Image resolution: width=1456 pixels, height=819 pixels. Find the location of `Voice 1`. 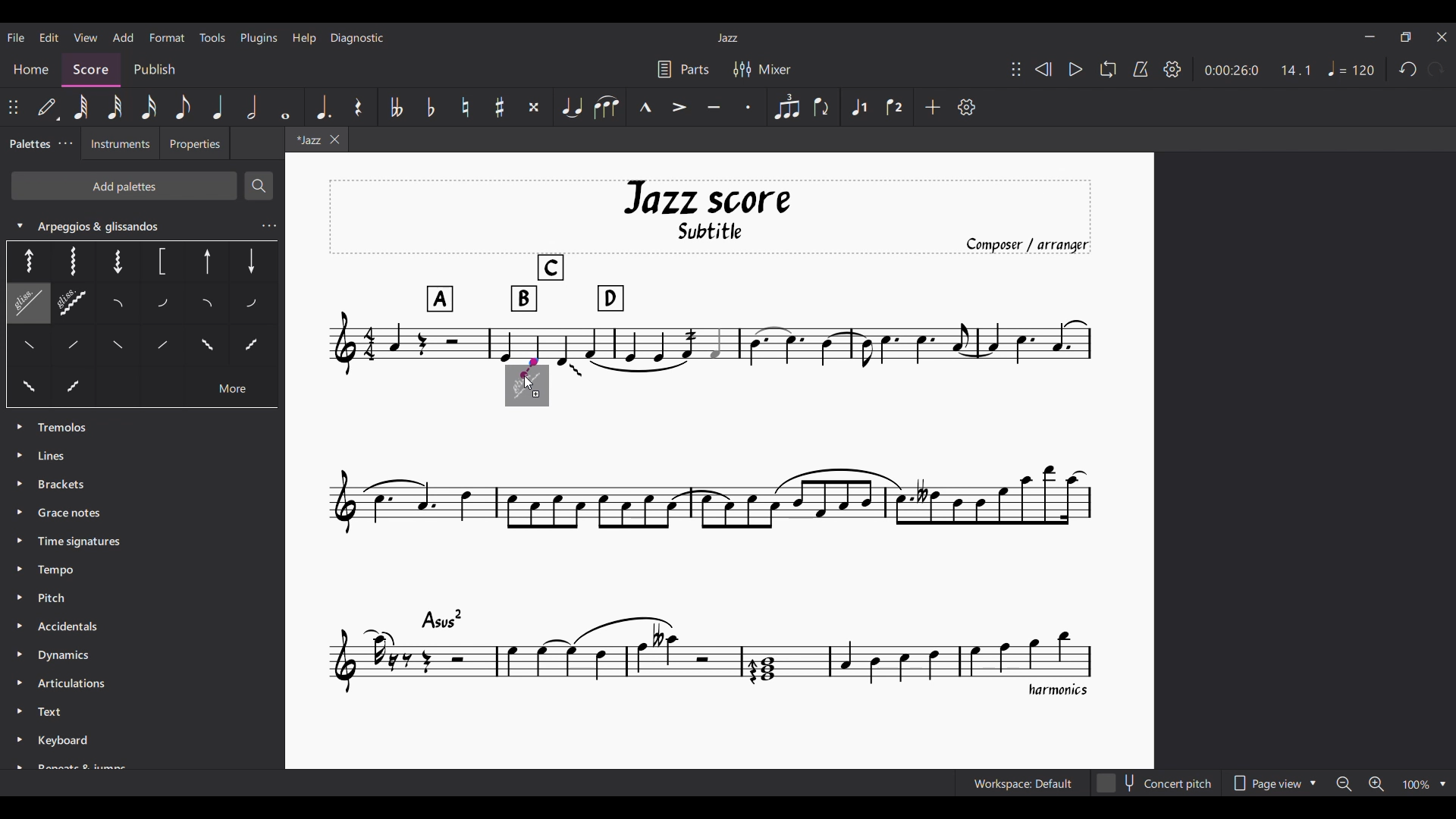

Voice 1 is located at coordinates (859, 106).